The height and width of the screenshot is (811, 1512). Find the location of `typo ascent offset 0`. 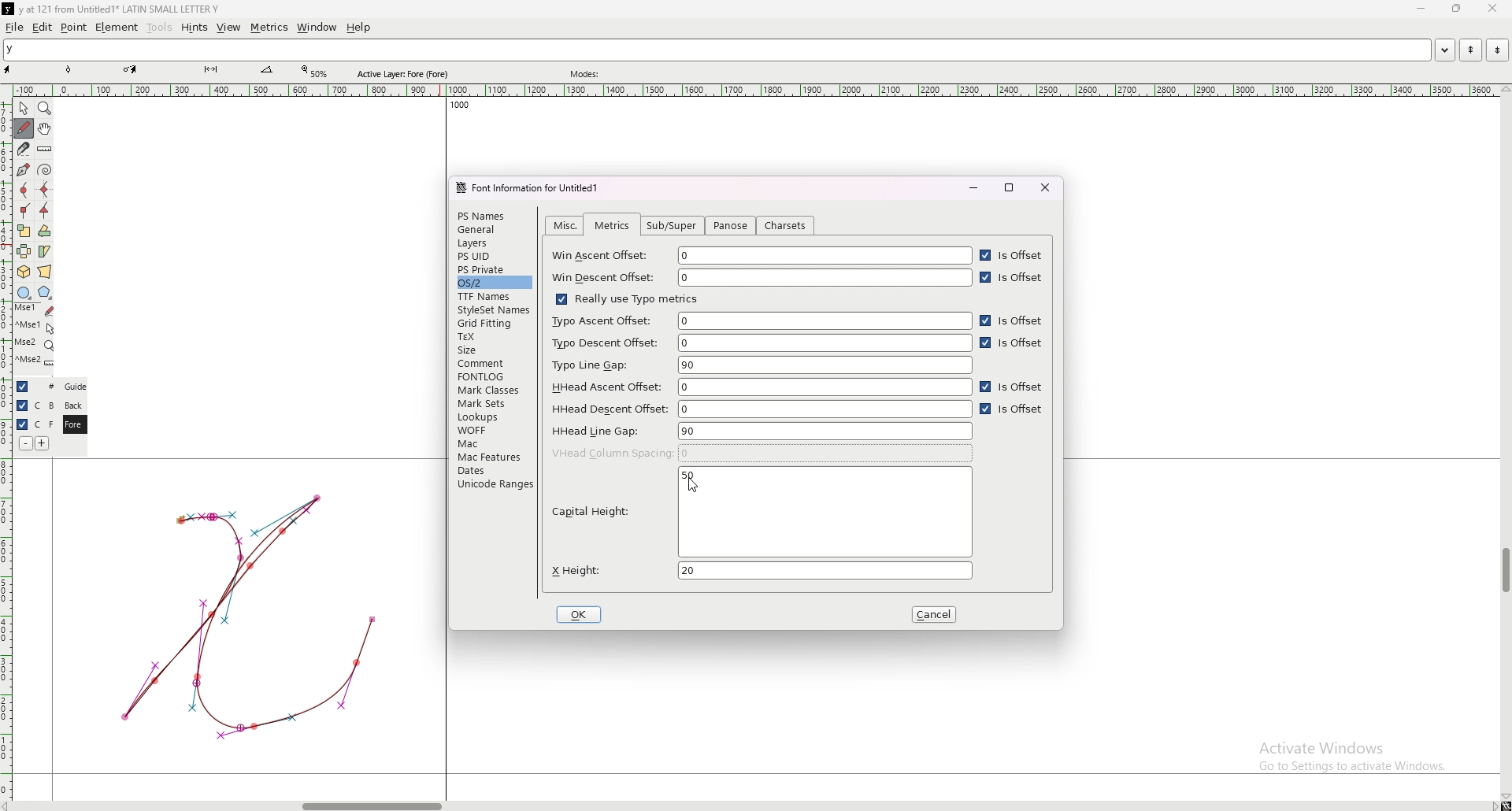

typo ascent offset 0 is located at coordinates (760, 320).